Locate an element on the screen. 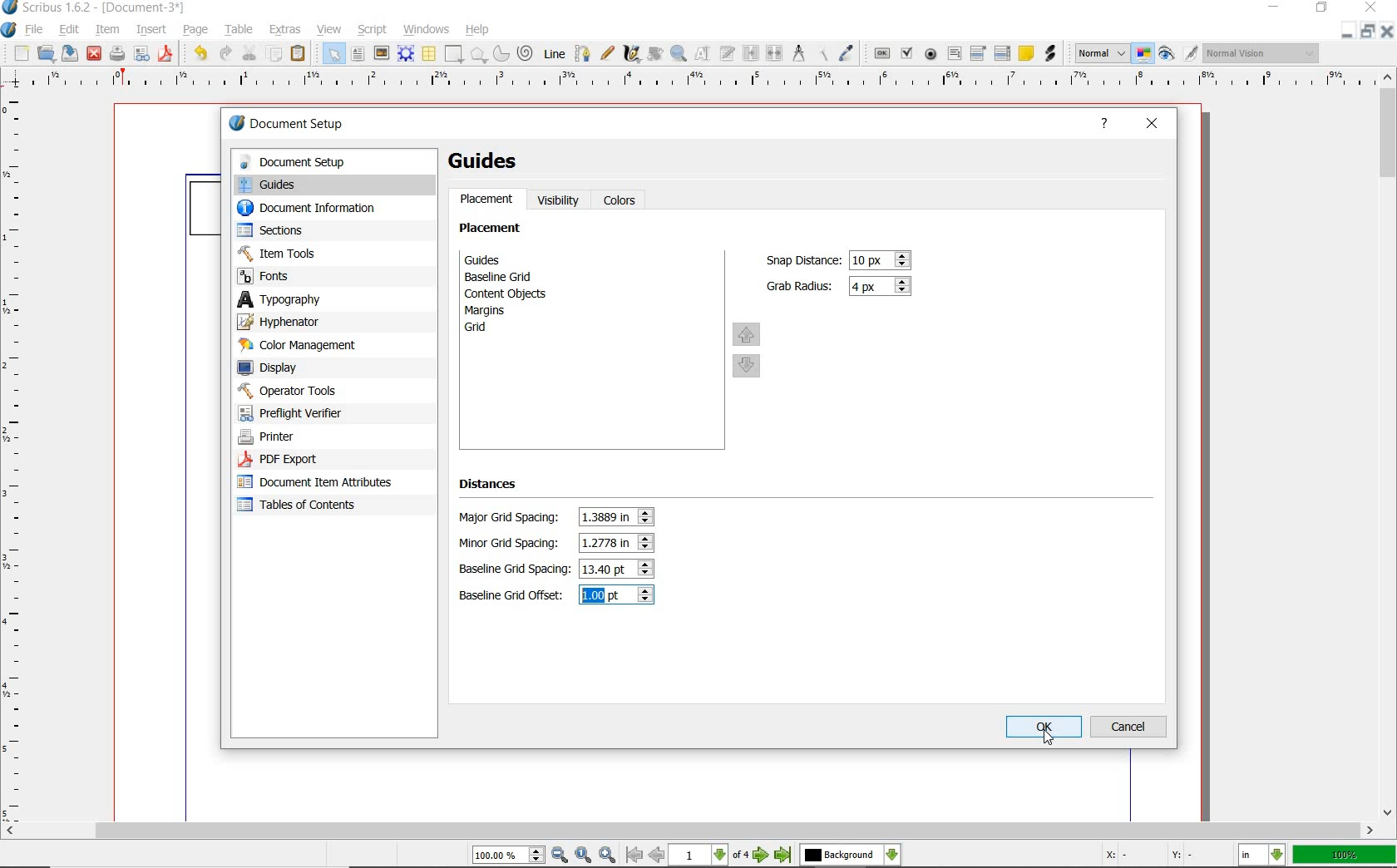 The width and height of the screenshot is (1397, 868). visual appearance of the display is located at coordinates (1262, 54).